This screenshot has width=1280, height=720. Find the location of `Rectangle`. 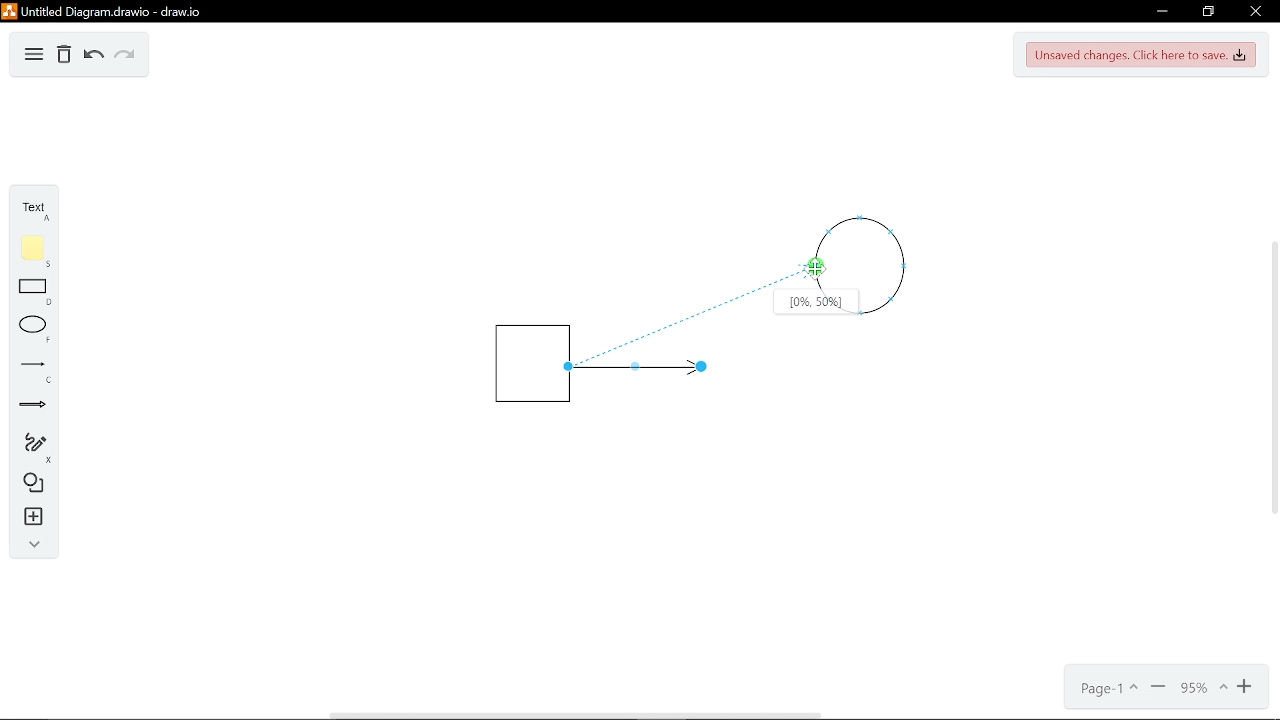

Rectangle is located at coordinates (29, 292).